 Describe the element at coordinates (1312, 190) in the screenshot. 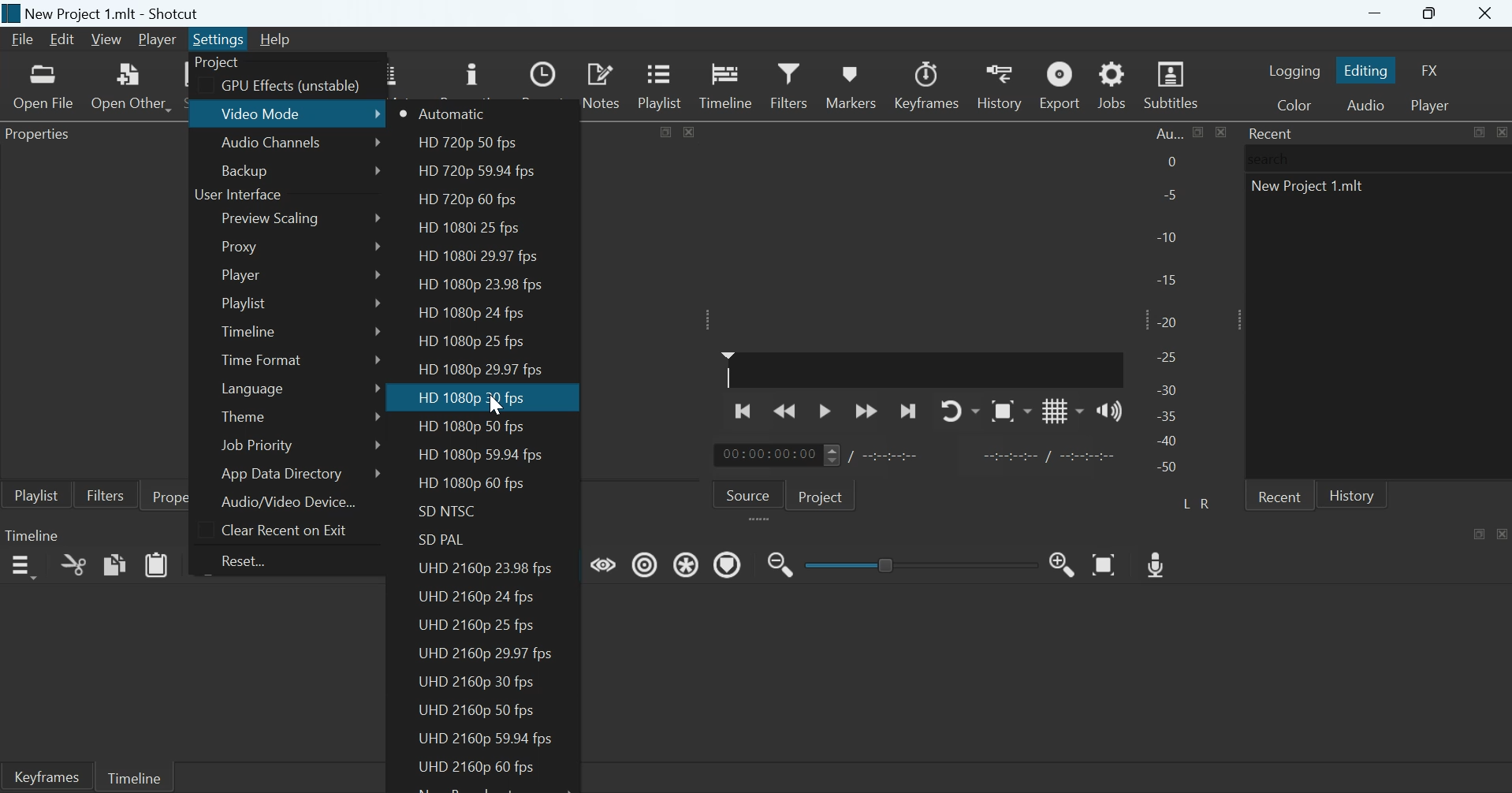

I see `new project 1.mlt` at that location.